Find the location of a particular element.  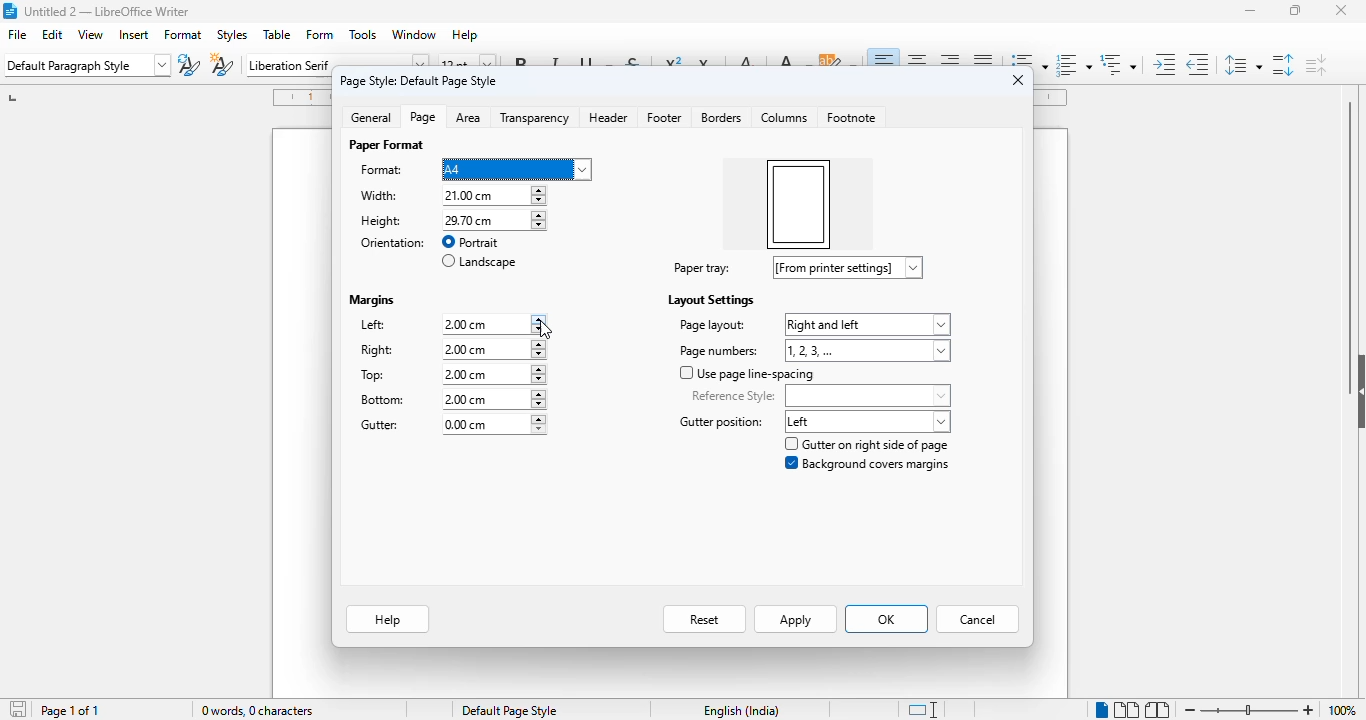

orientation:  is located at coordinates (394, 242).